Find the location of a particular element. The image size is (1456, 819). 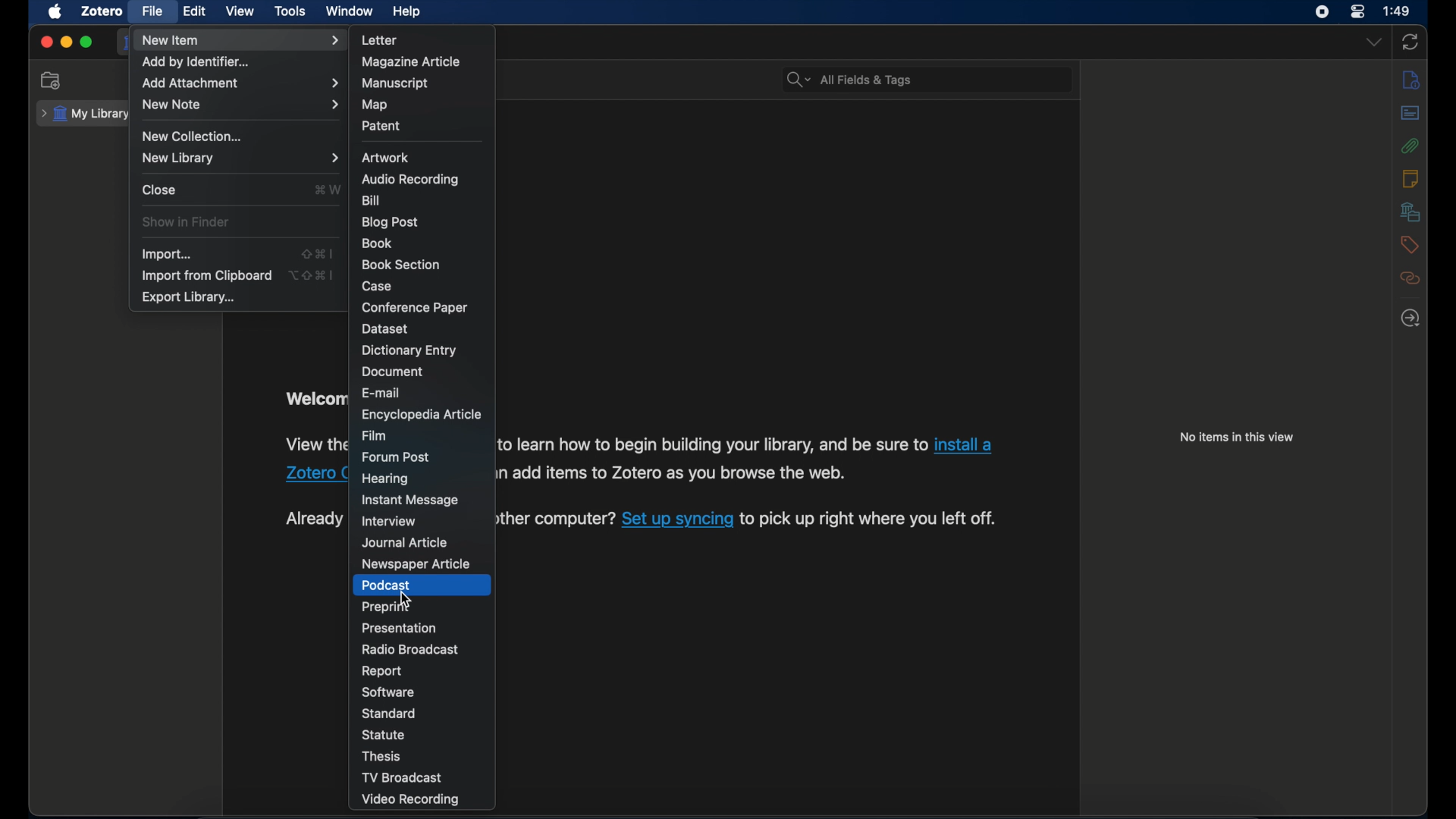

podcast is located at coordinates (388, 585).